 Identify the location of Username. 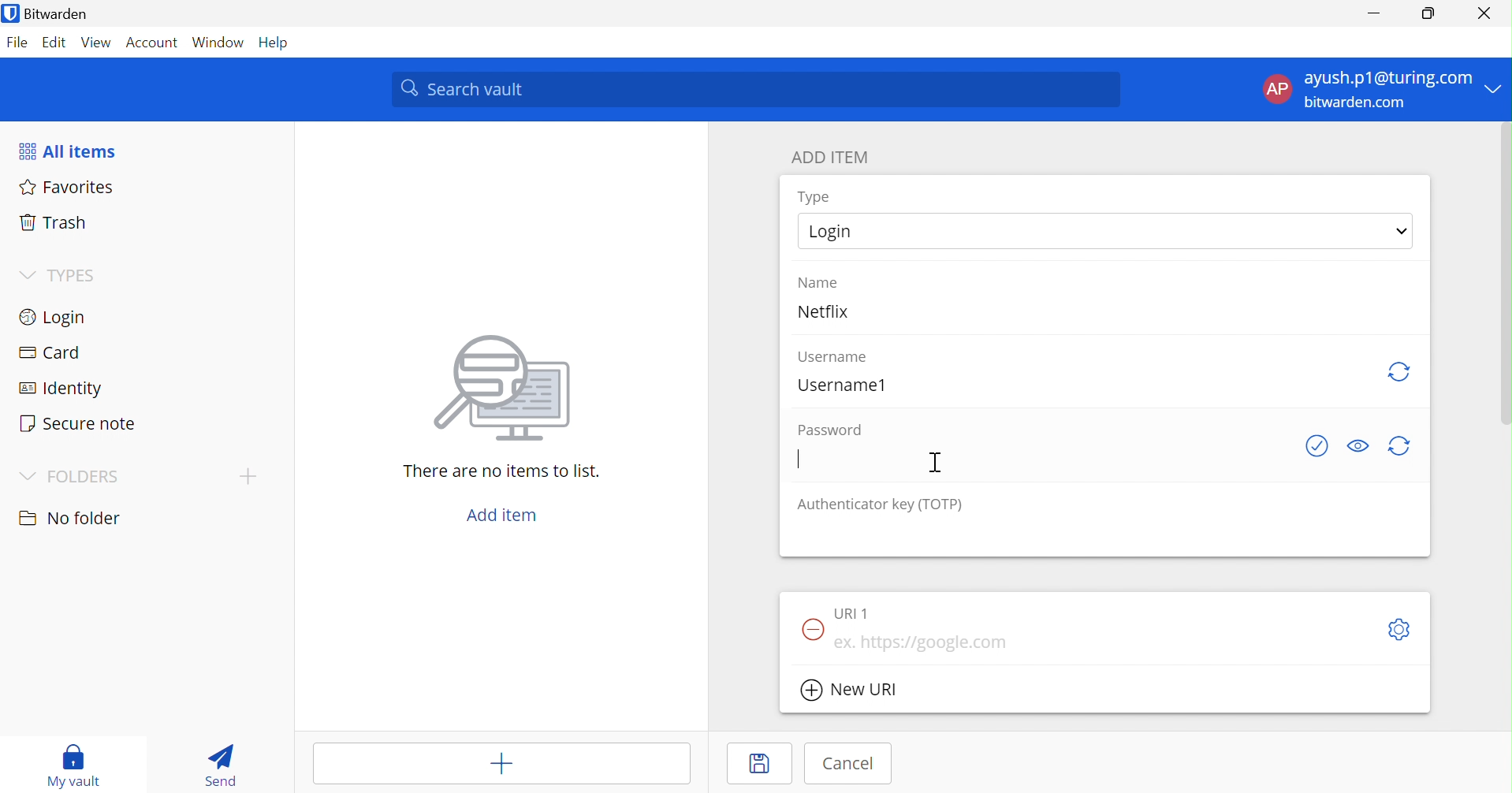
(833, 358).